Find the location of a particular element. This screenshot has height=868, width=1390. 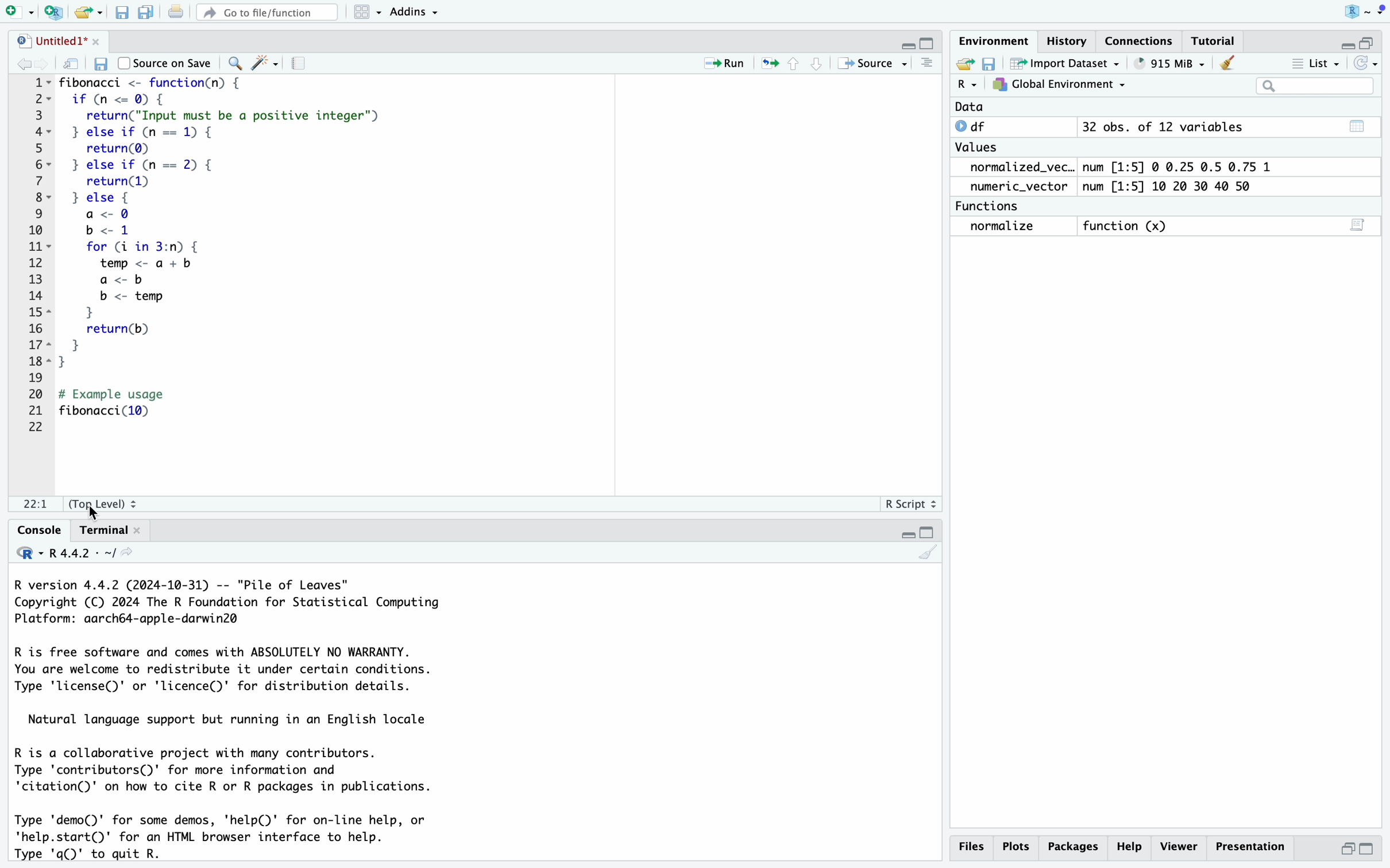

functions is located at coordinates (991, 207).